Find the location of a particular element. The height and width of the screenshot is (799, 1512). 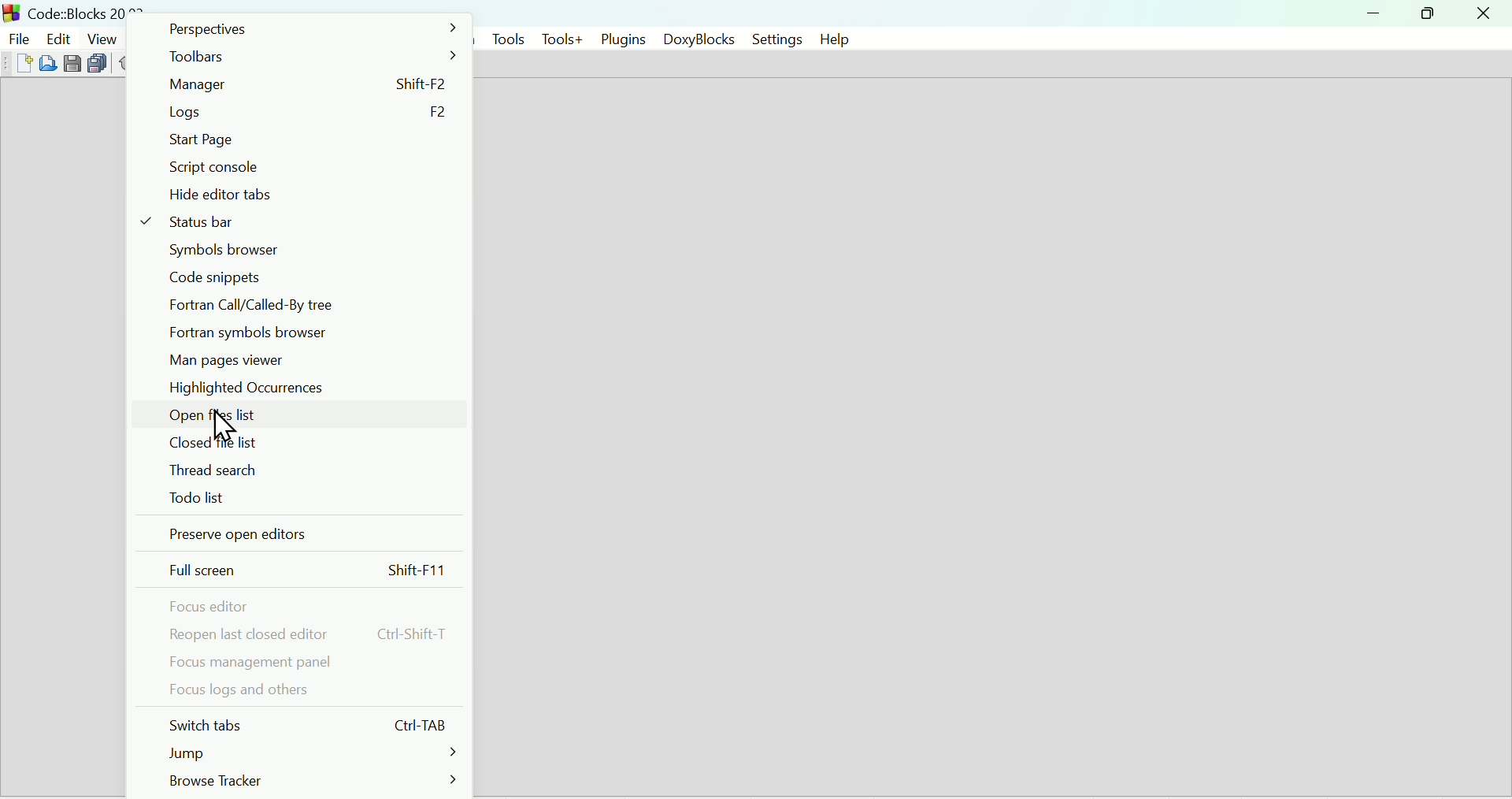

Hide editor tabs is located at coordinates (306, 194).